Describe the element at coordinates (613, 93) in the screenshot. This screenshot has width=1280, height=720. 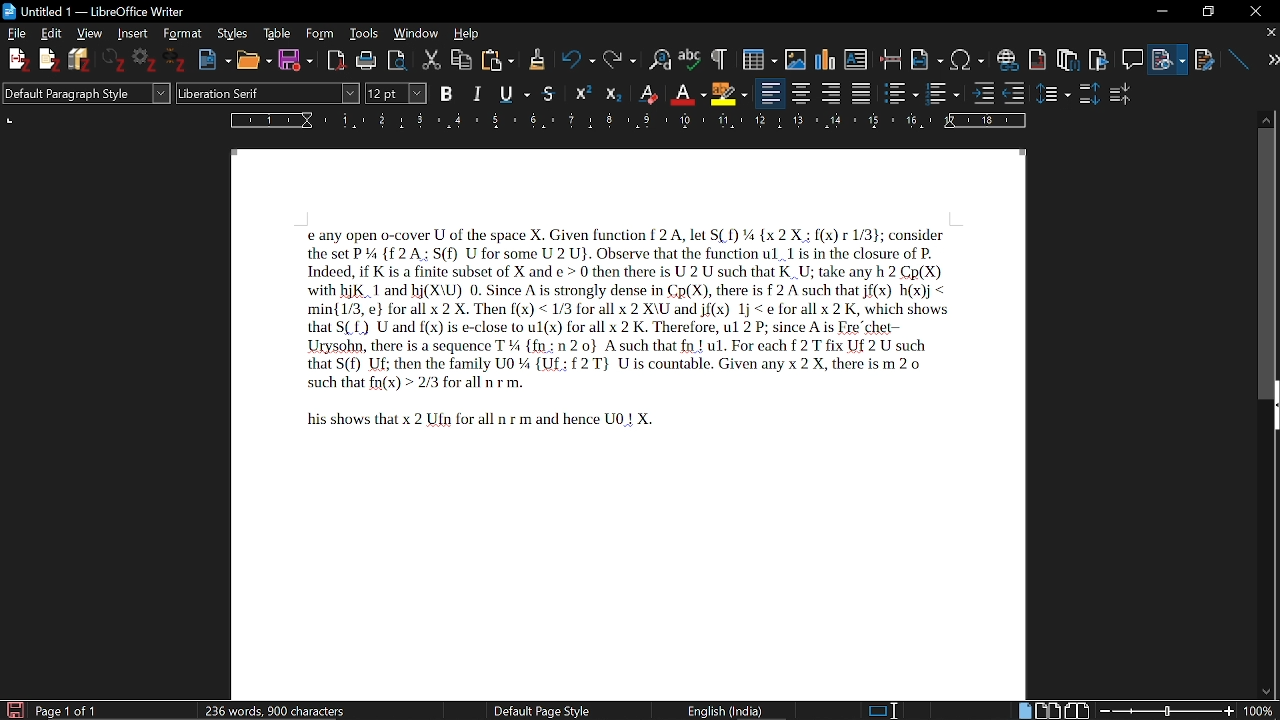
I see `` at that location.